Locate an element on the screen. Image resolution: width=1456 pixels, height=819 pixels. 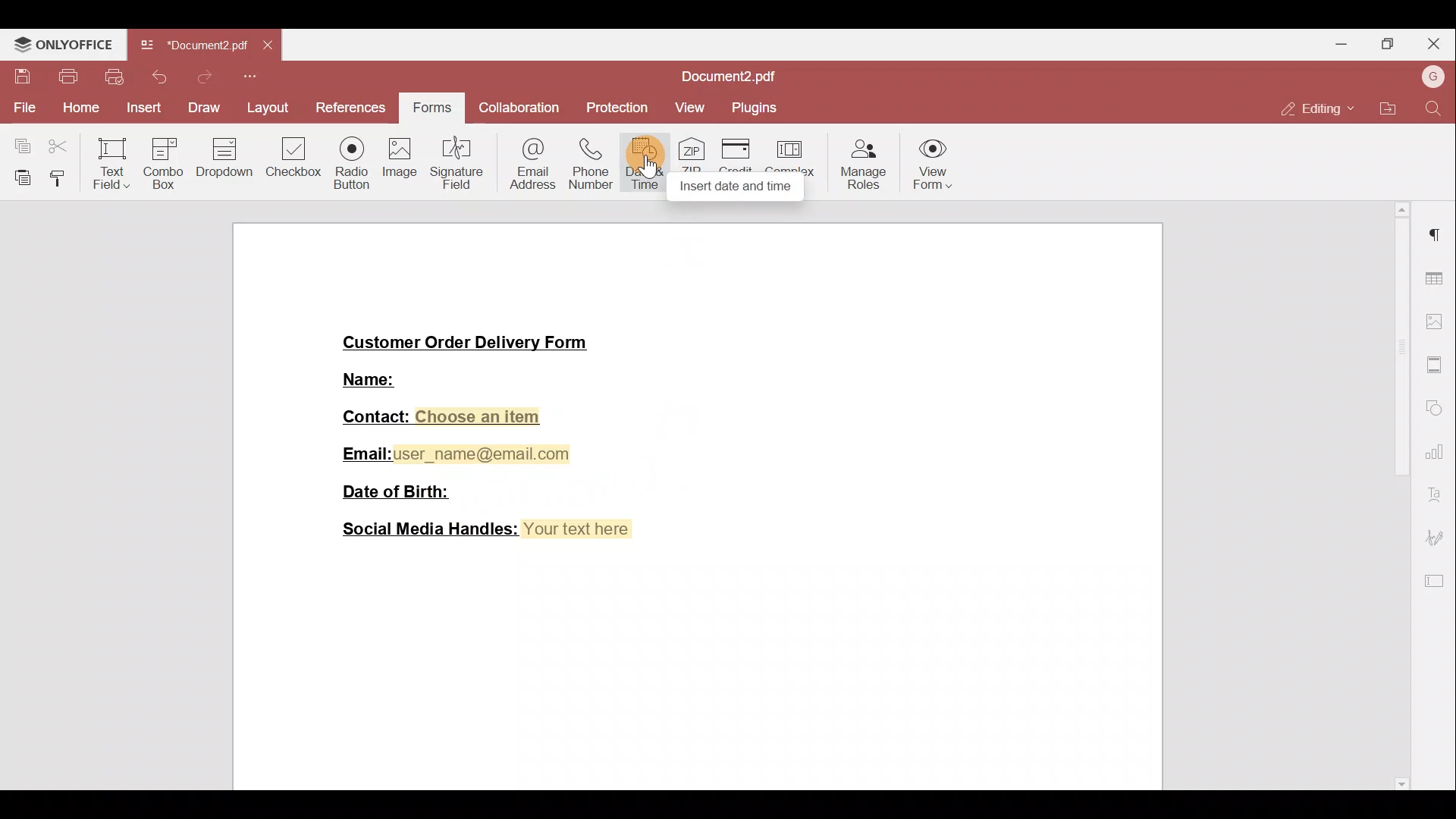
Insert date and time is located at coordinates (736, 187).